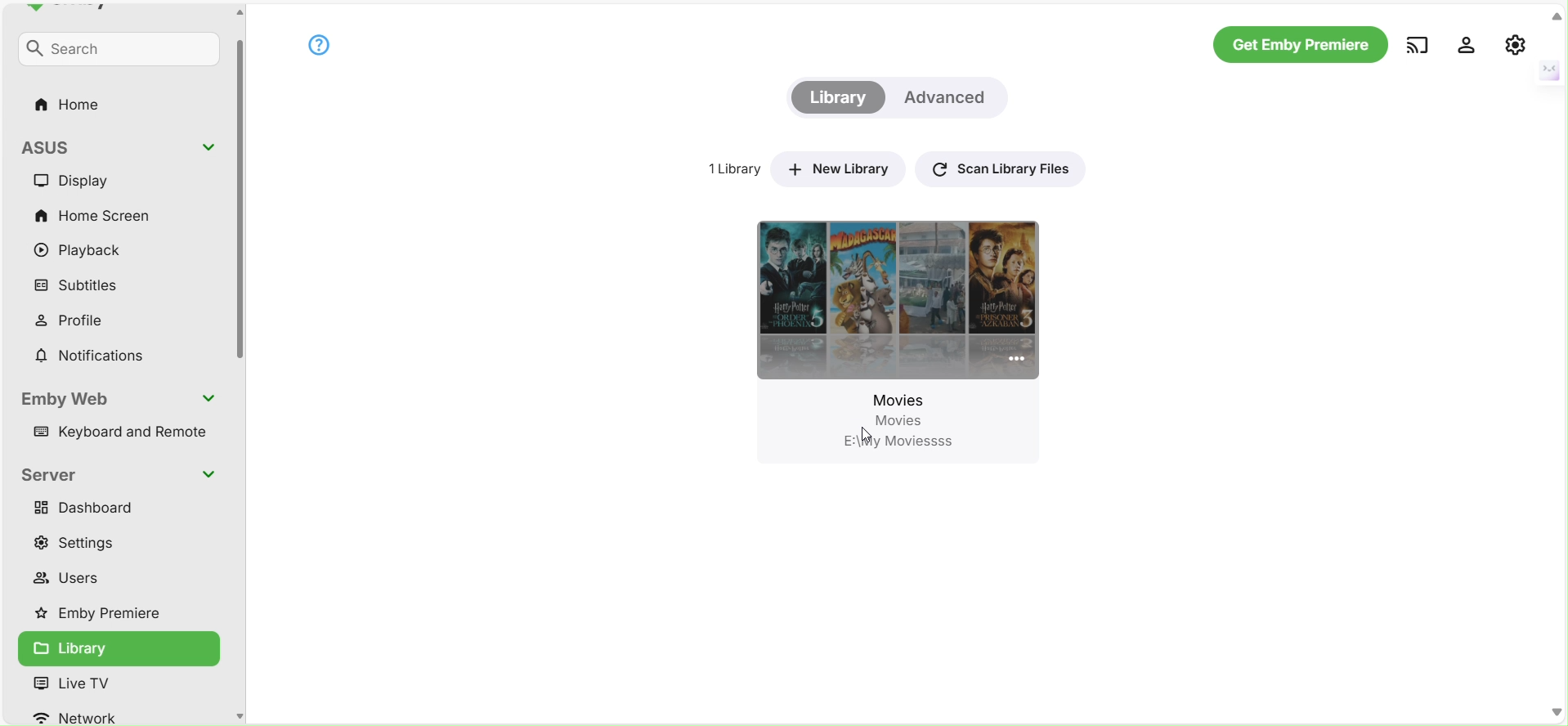  Describe the element at coordinates (1516, 43) in the screenshot. I see `Manage Emby Server` at that location.